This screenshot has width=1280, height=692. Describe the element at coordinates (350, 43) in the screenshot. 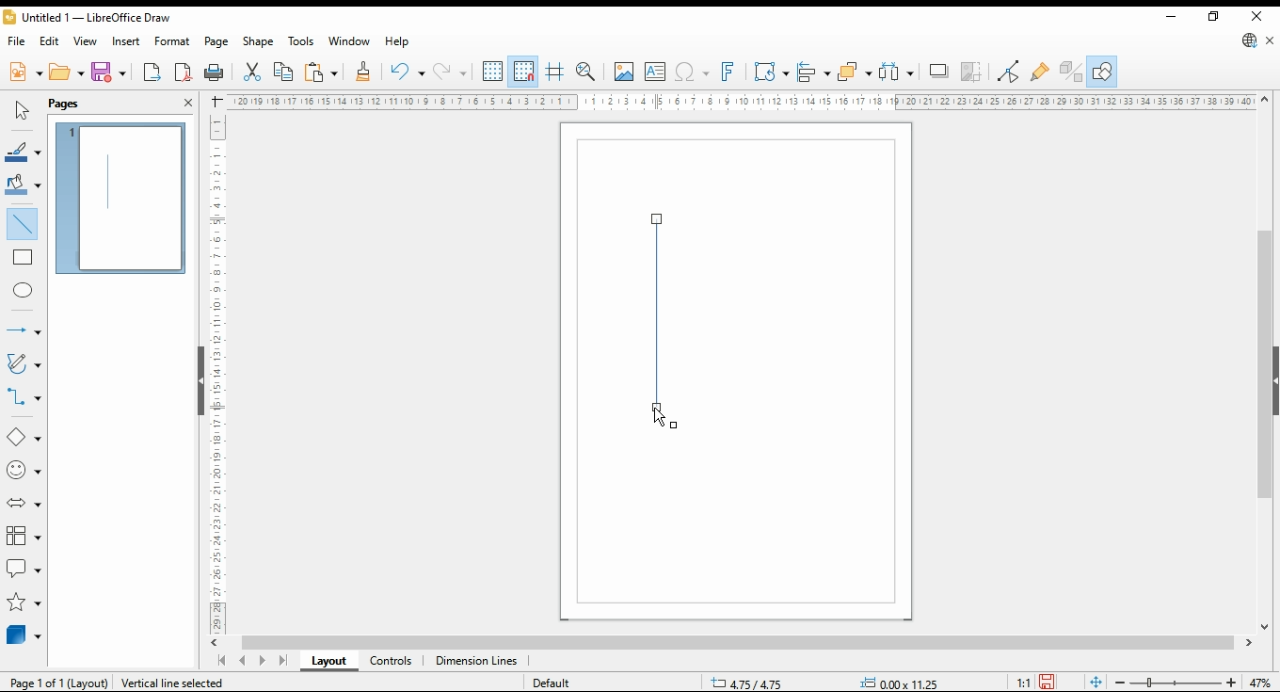

I see `window` at that location.